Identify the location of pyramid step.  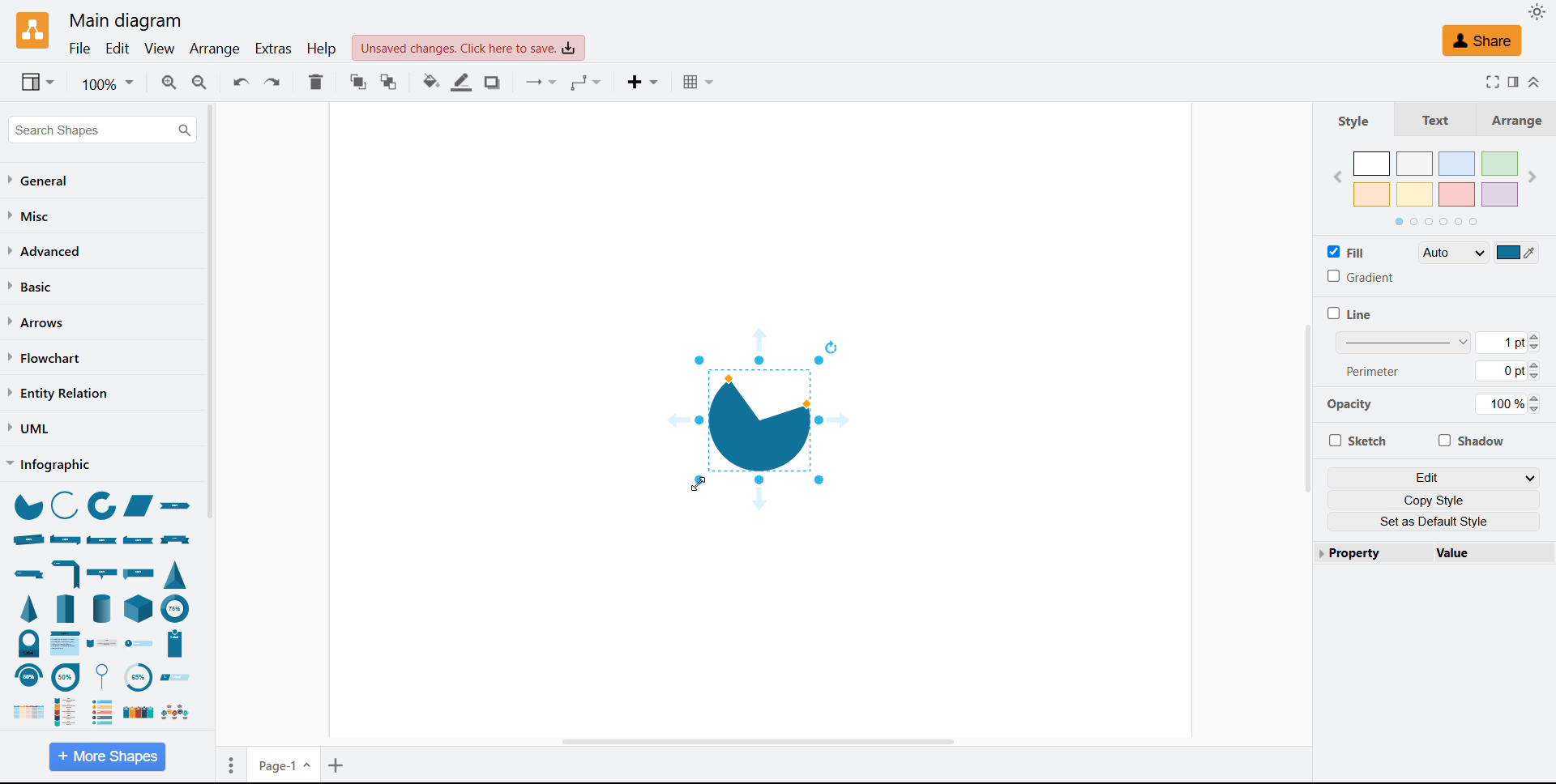
(67, 607).